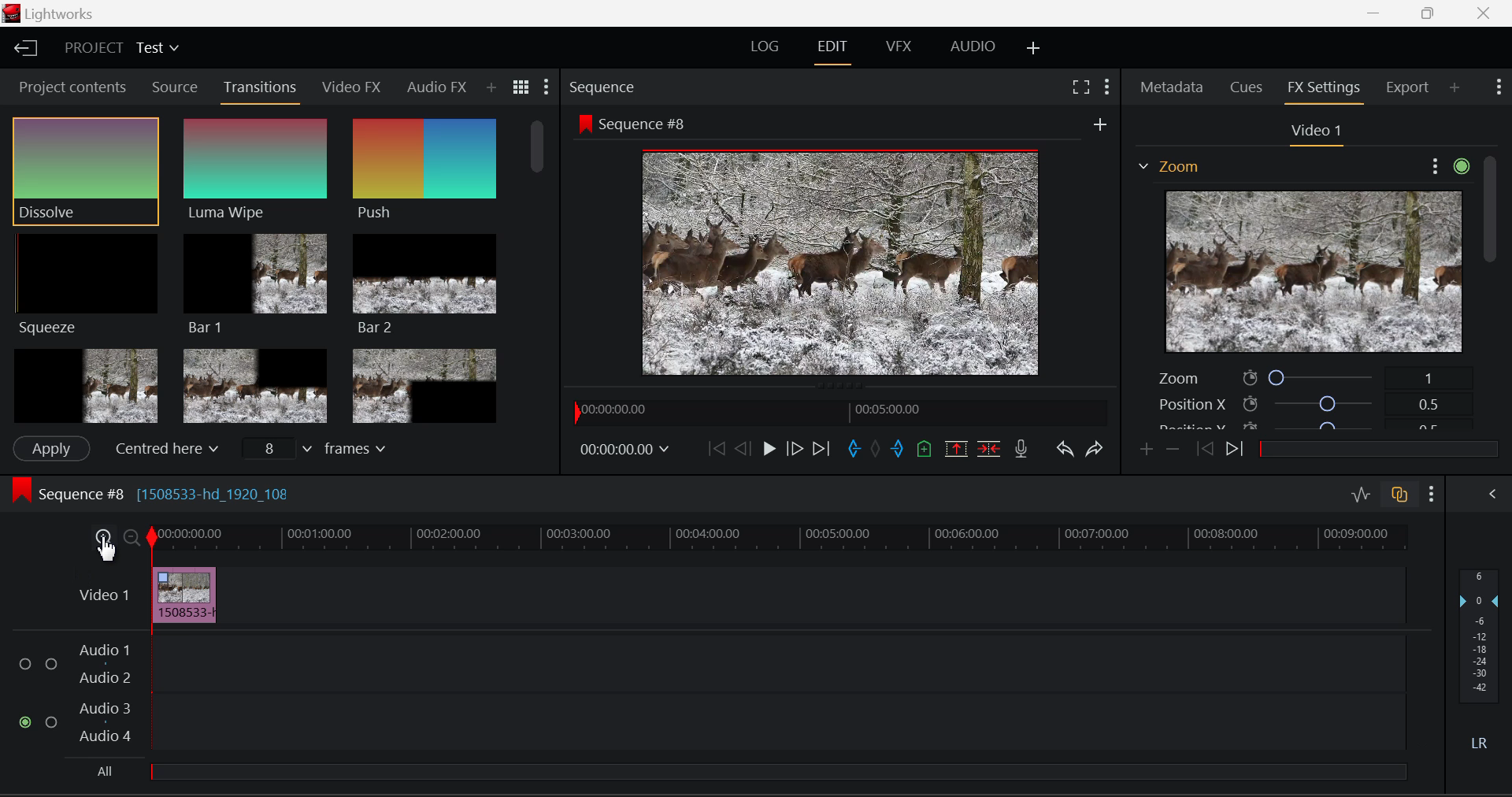  Describe the element at coordinates (1080, 86) in the screenshot. I see `Full Screen` at that location.